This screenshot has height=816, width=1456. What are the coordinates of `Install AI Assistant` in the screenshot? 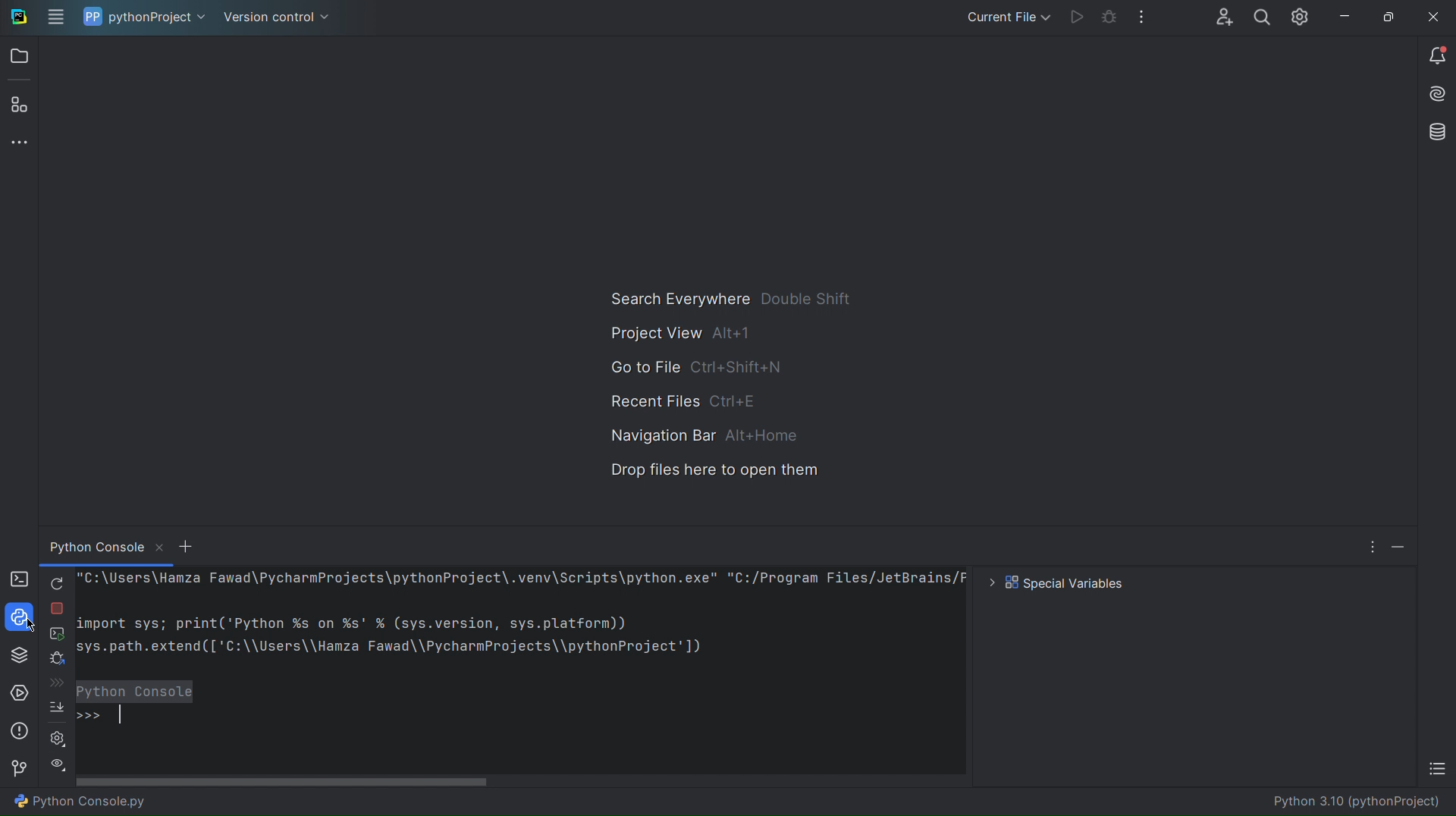 It's located at (1436, 94).